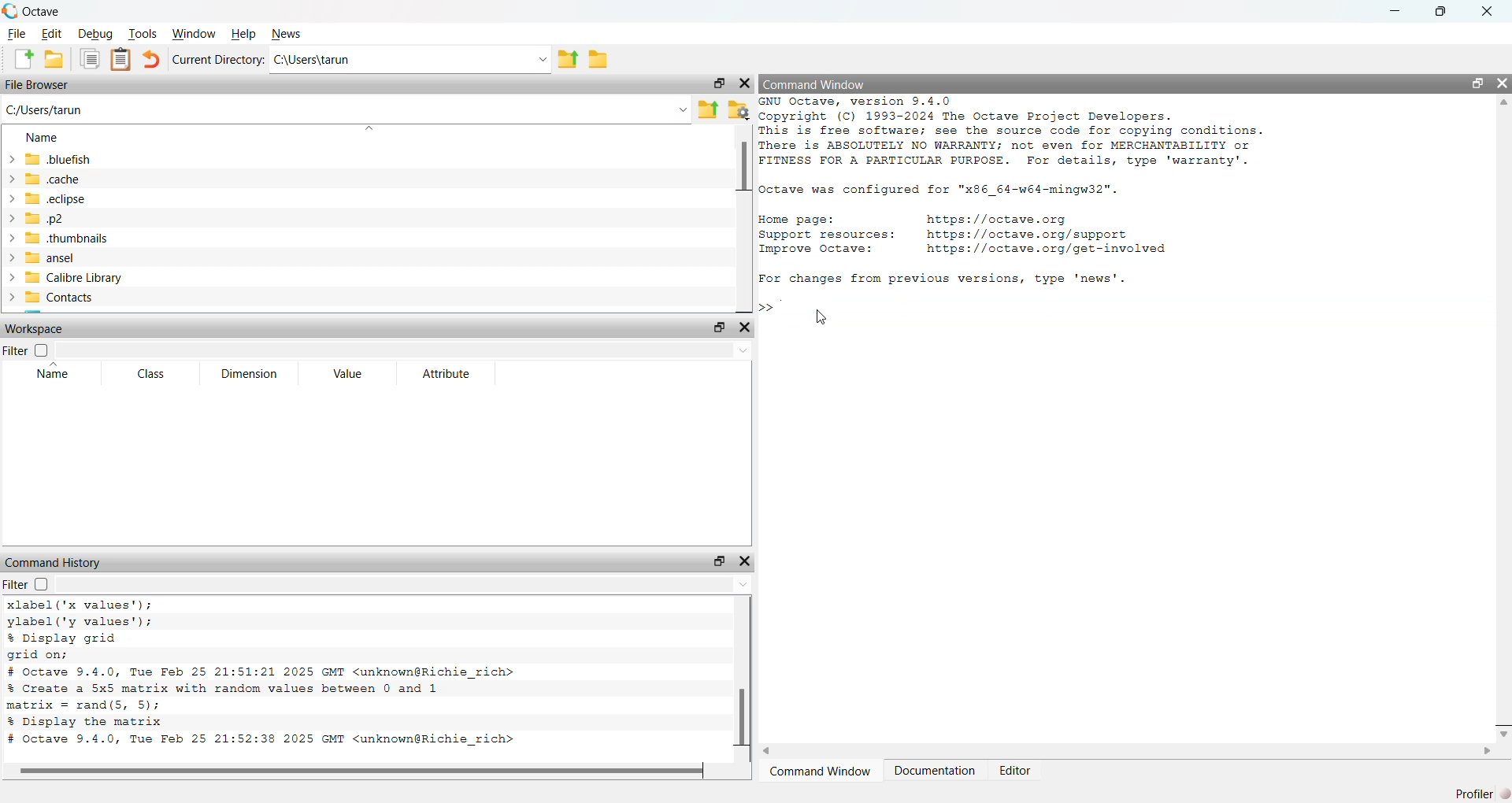 This screenshot has height=803, width=1512. Describe the element at coordinates (90, 59) in the screenshot. I see `copy` at that location.